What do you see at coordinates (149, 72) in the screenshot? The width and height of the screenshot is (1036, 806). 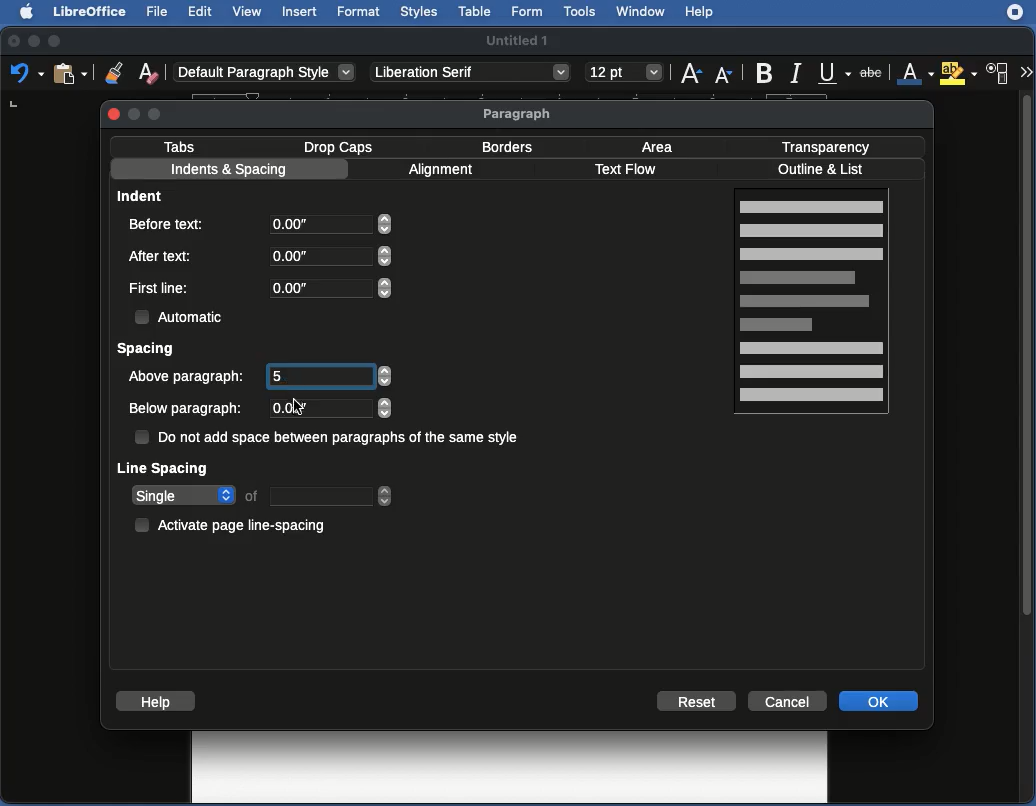 I see `Clear ` at bounding box center [149, 72].